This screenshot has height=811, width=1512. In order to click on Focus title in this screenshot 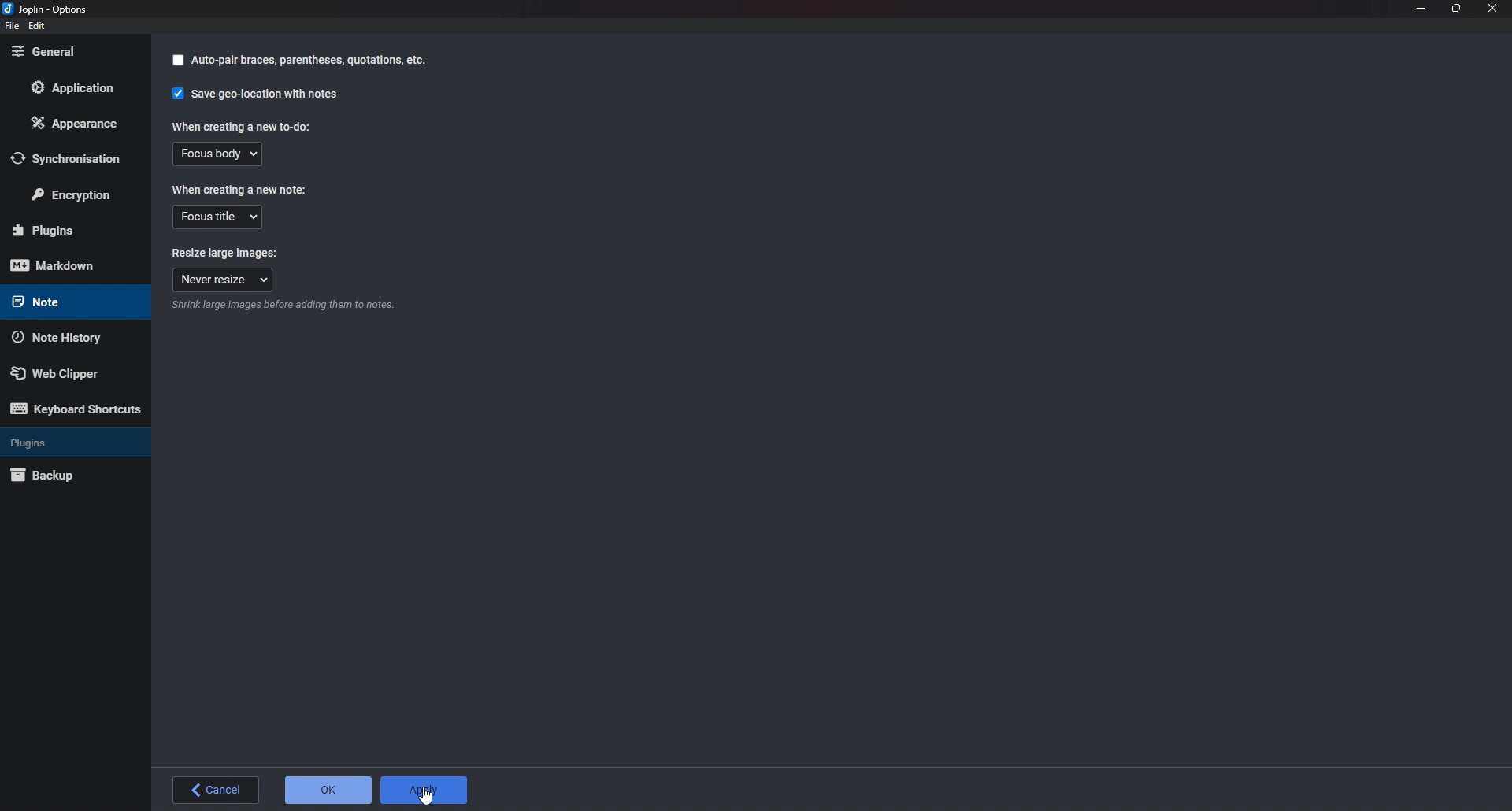, I will do `click(217, 217)`.